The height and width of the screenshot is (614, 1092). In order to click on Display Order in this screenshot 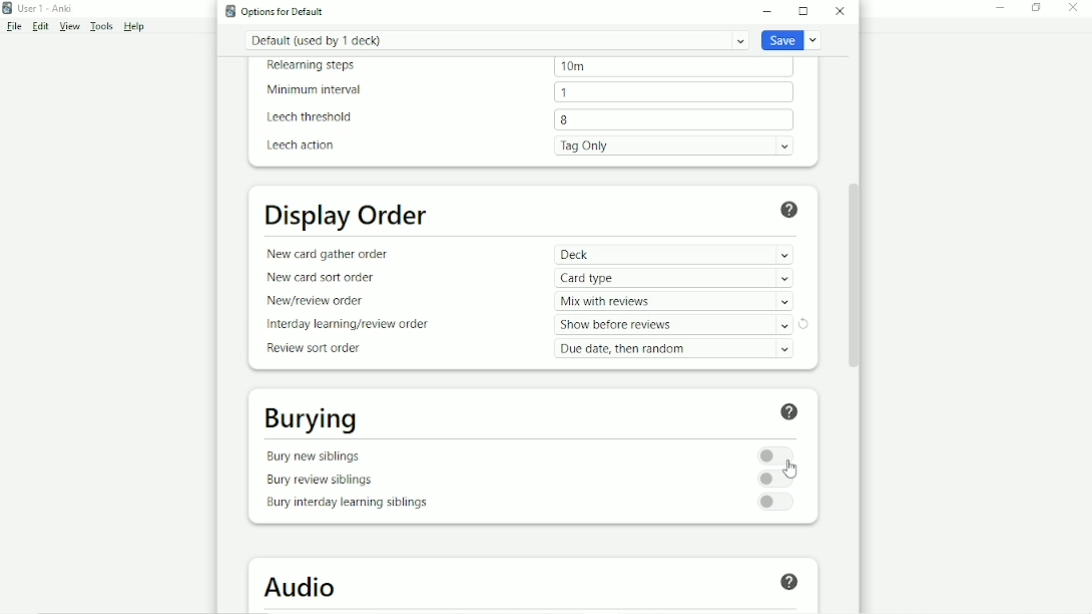, I will do `click(348, 217)`.